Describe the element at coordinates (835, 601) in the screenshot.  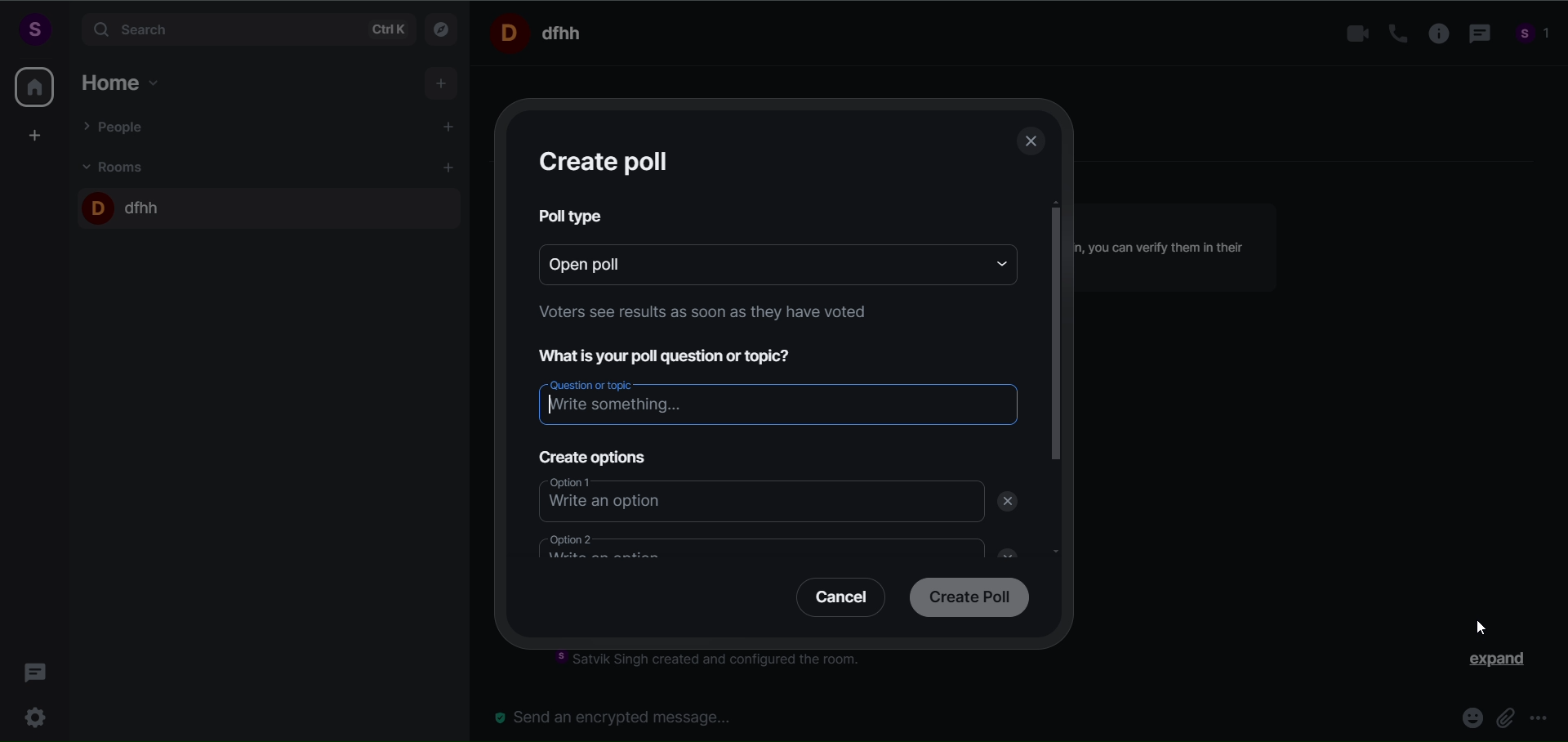
I see `cancel` at that location.